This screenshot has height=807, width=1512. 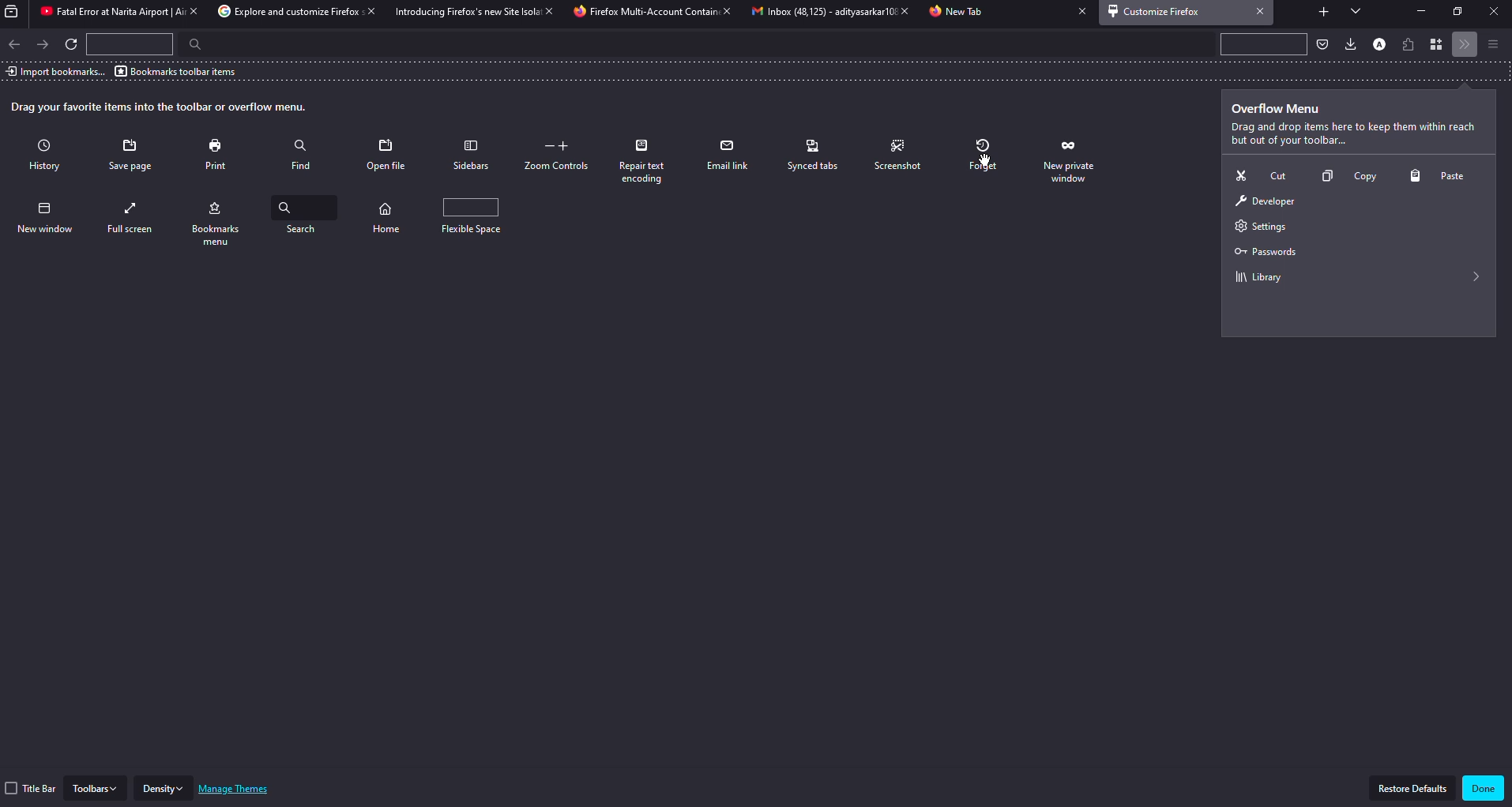 I want to click on manage themes, so click(x=238, y=789).